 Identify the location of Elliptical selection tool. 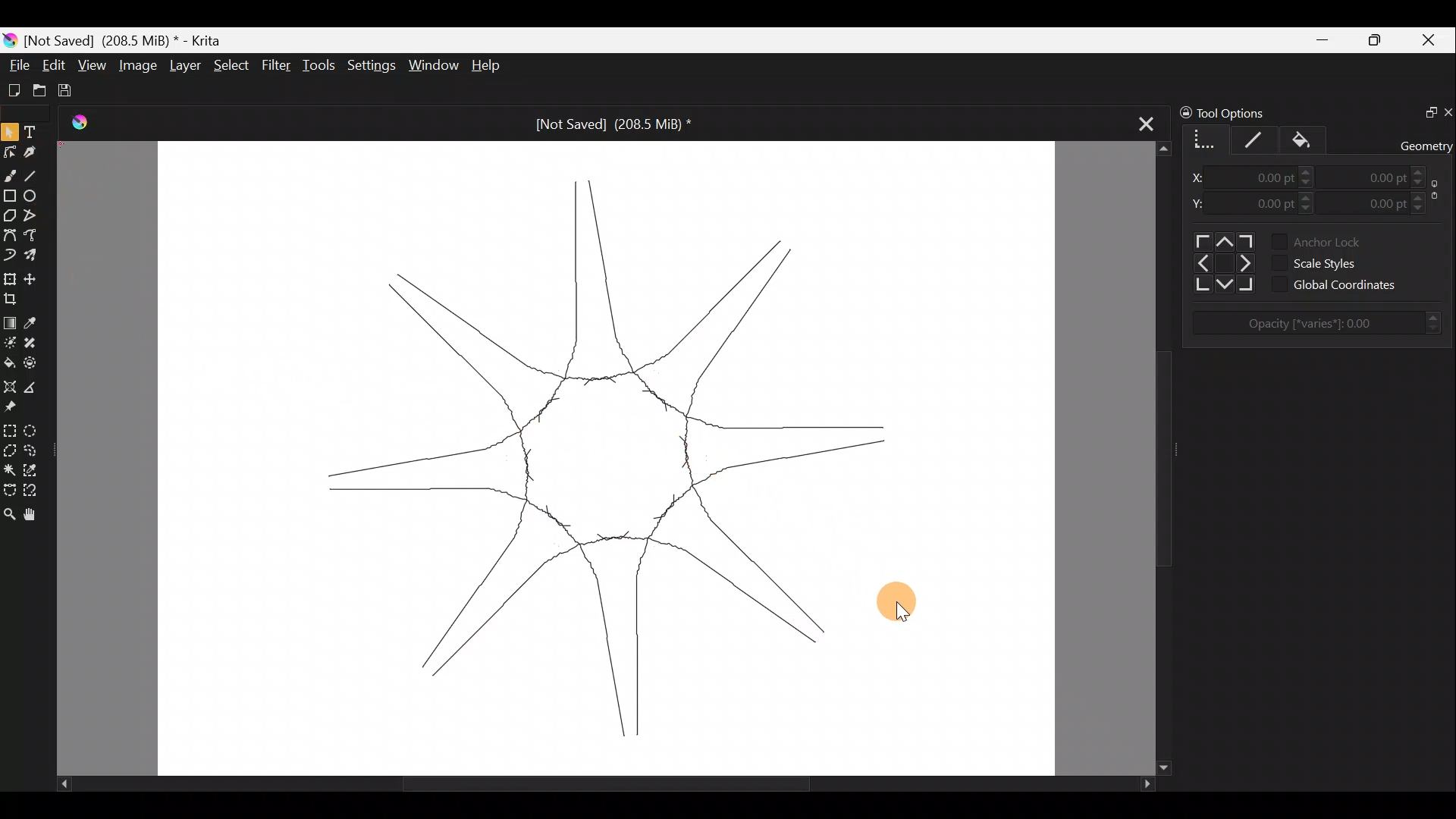
(35, 428).